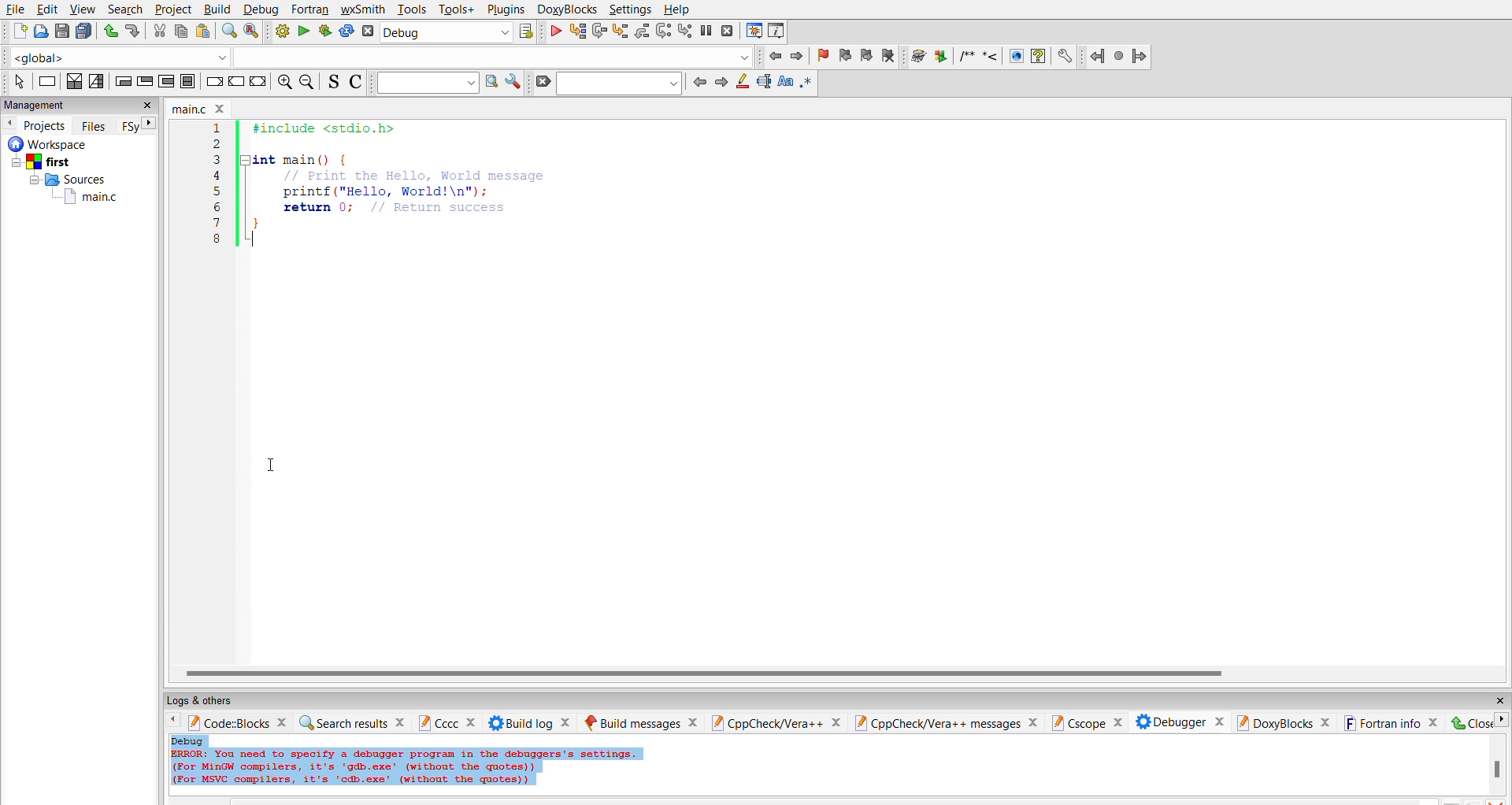  I want to click on jump forward, so click(800, 55).